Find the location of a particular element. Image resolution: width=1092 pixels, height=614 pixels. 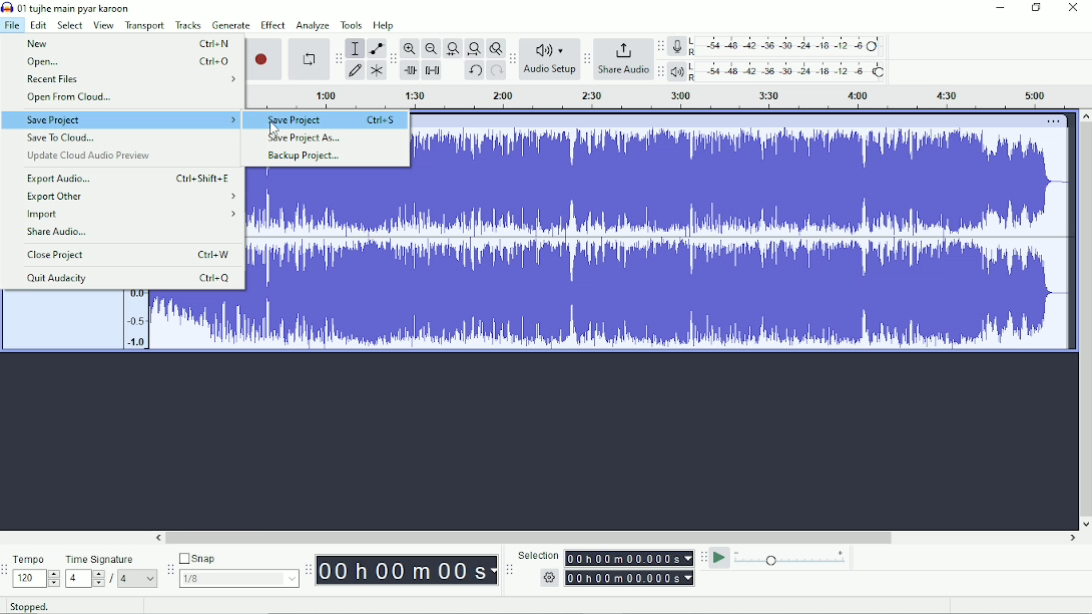

Restore down is located at coordinates (1035, 8).